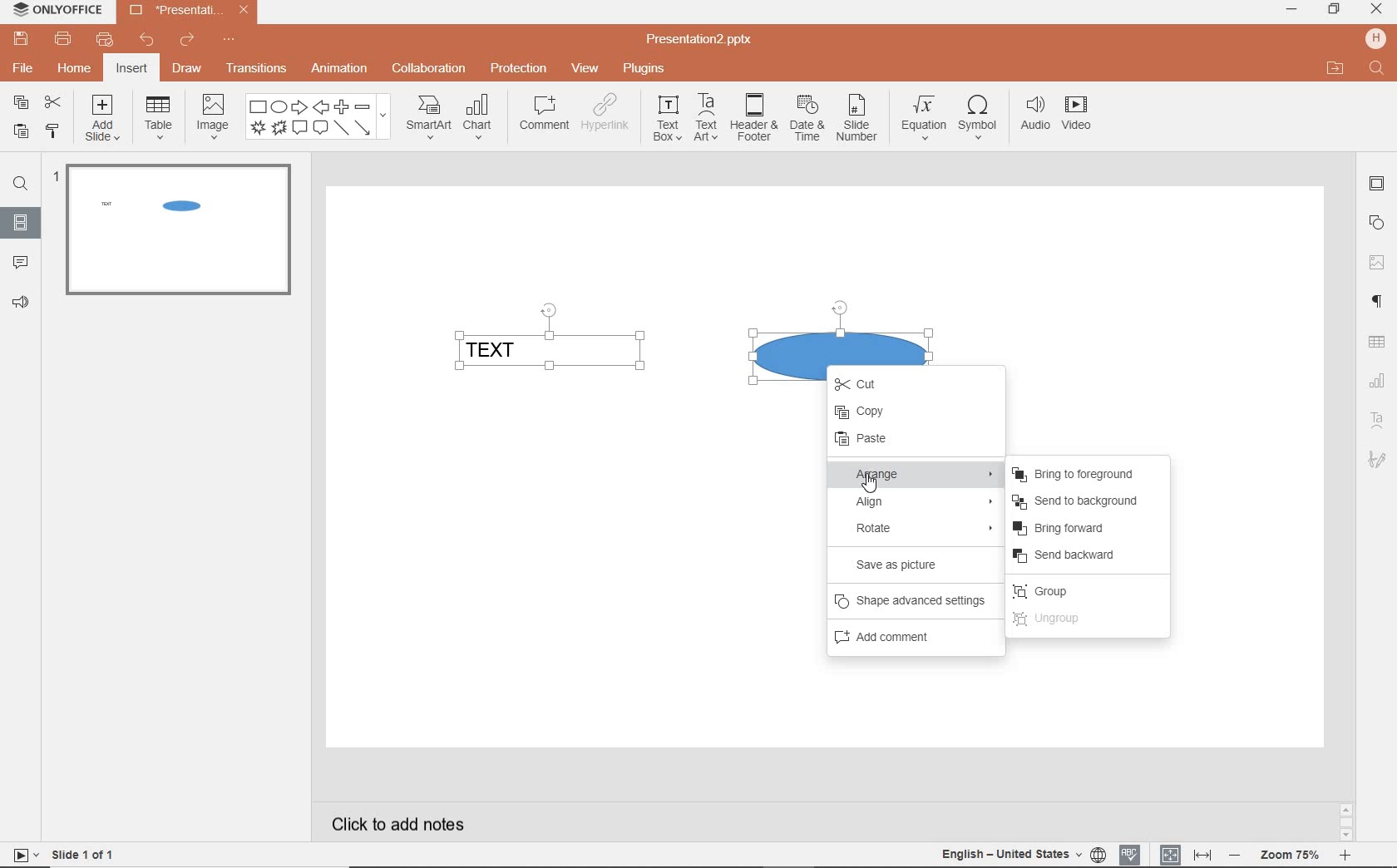 The image size is (1397, 868). What do you see at coordinates (1375, 461) in the screenshot?
I see `TEXT ART` at bounding box center [1375, 461].